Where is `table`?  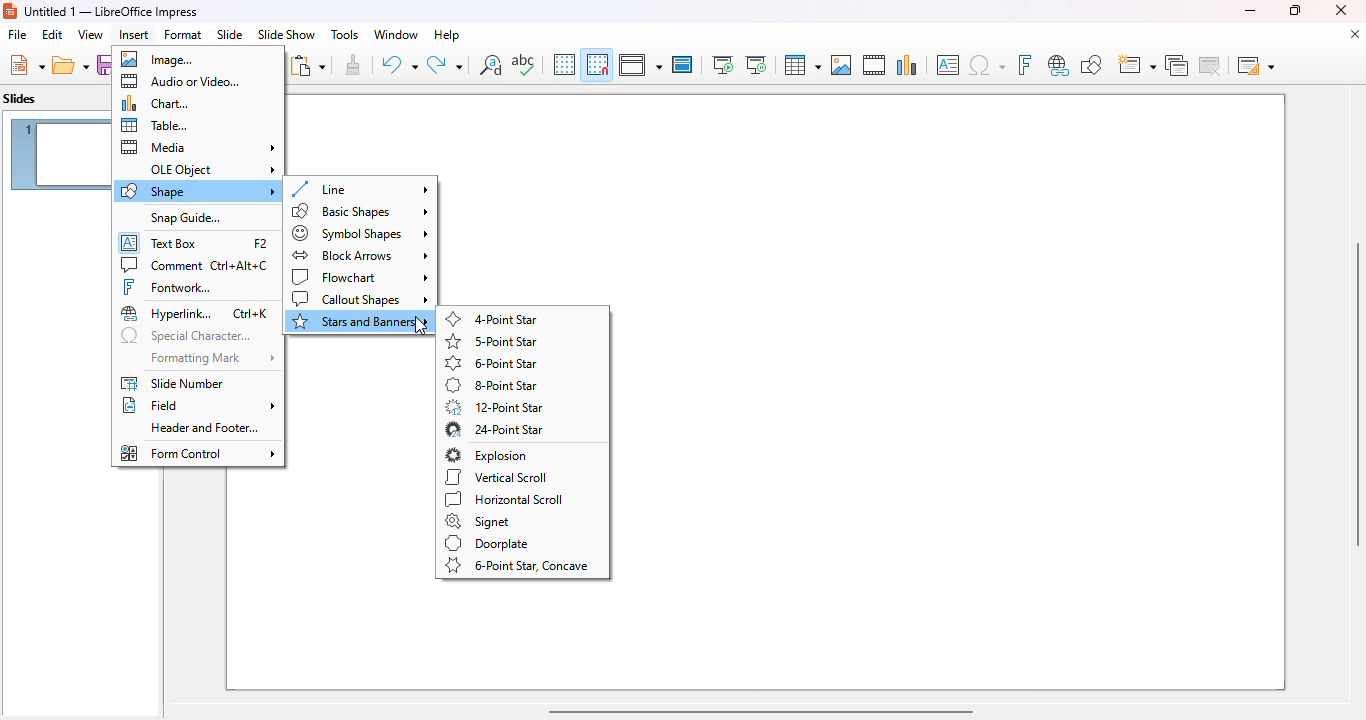
table is located at coordinates (155, 125).